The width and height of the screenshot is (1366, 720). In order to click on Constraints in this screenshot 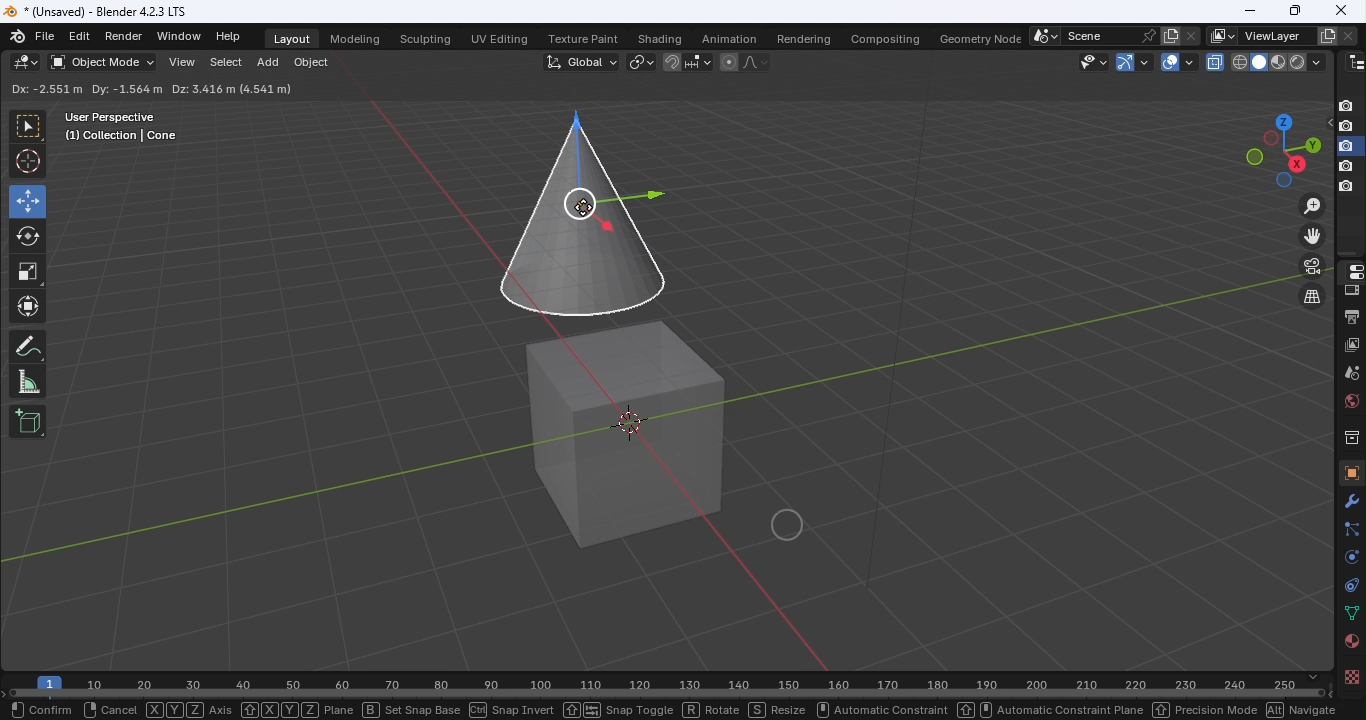, I will do `click(1348, 584)`.